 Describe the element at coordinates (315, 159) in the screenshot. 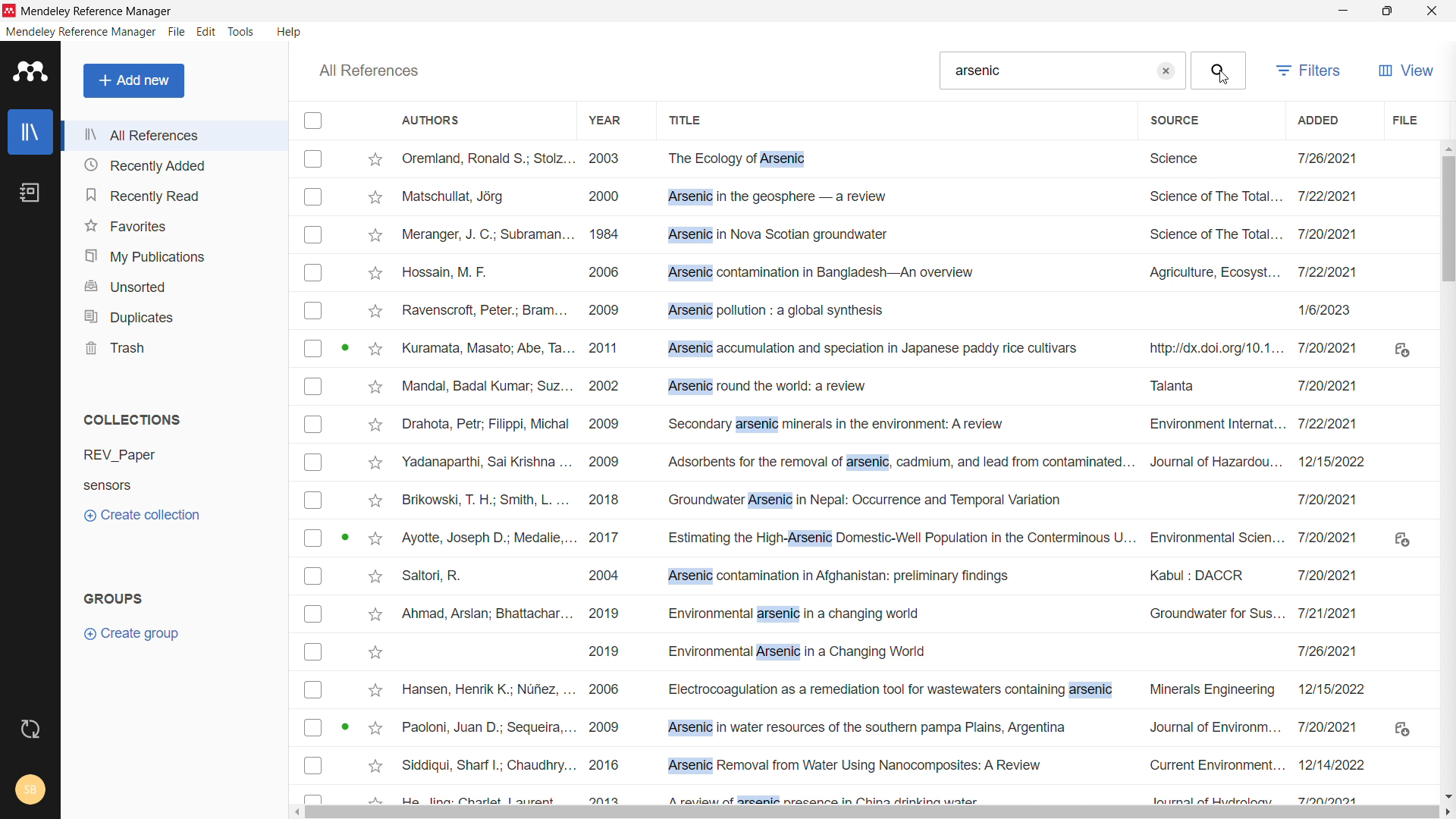

I see `Checkbox` at that location.